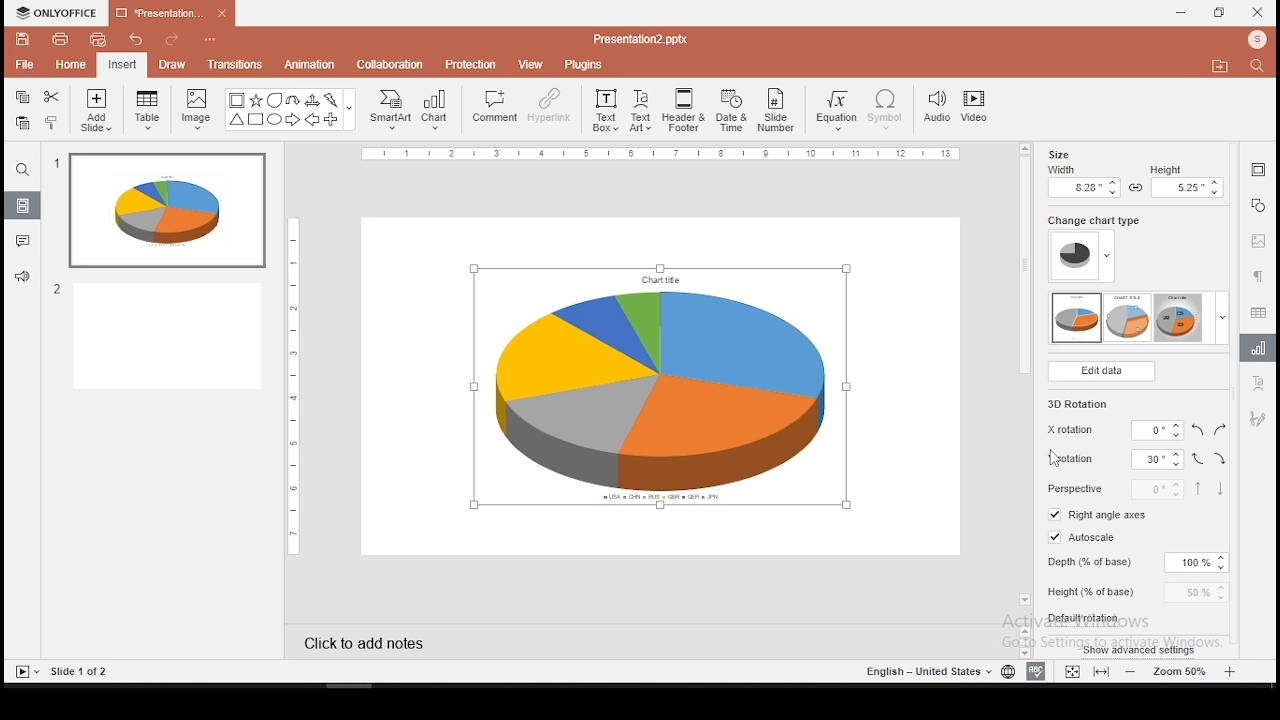  I want to click on slide number, so click(778, 109).